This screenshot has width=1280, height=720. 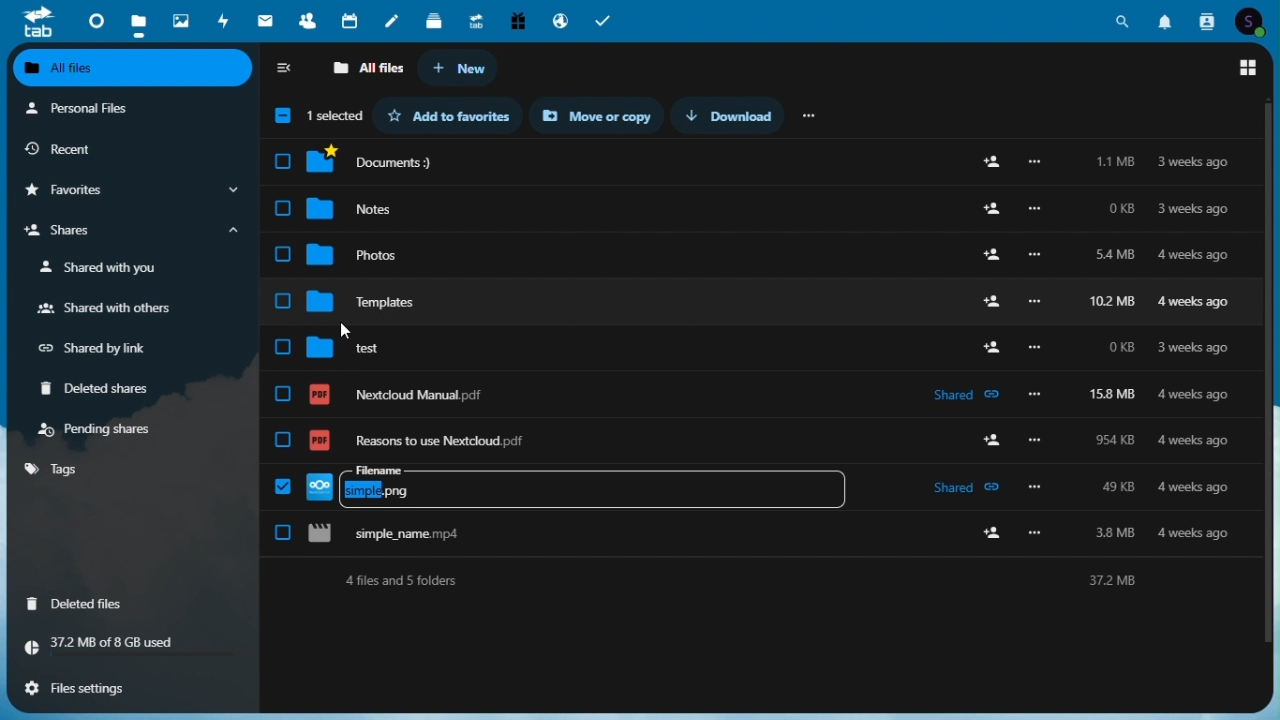 I want to click on email hosting, so click(x=559, y=20).